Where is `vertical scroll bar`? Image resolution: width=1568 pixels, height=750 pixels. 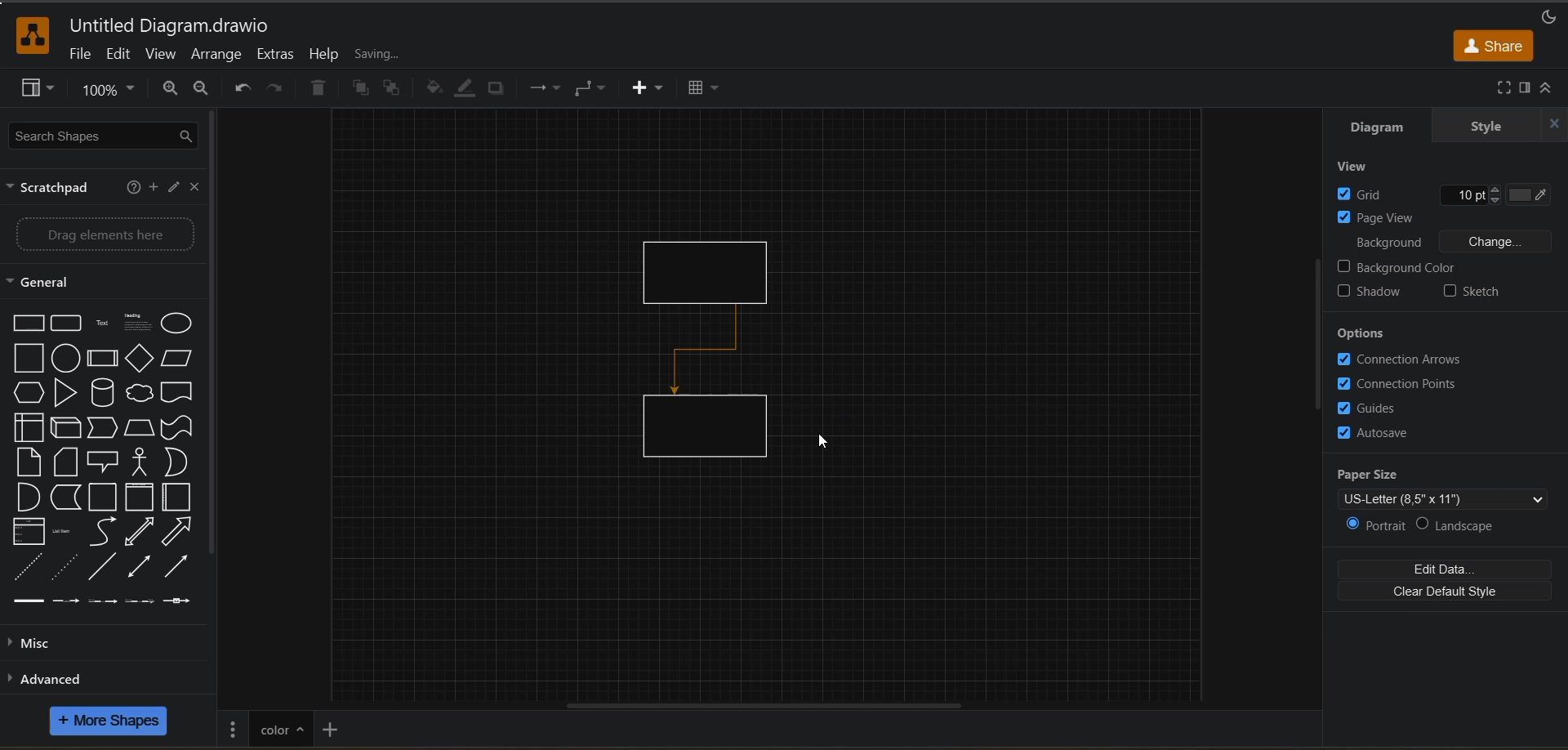 vertical scroll bar is located at coordinates (1314, 334).